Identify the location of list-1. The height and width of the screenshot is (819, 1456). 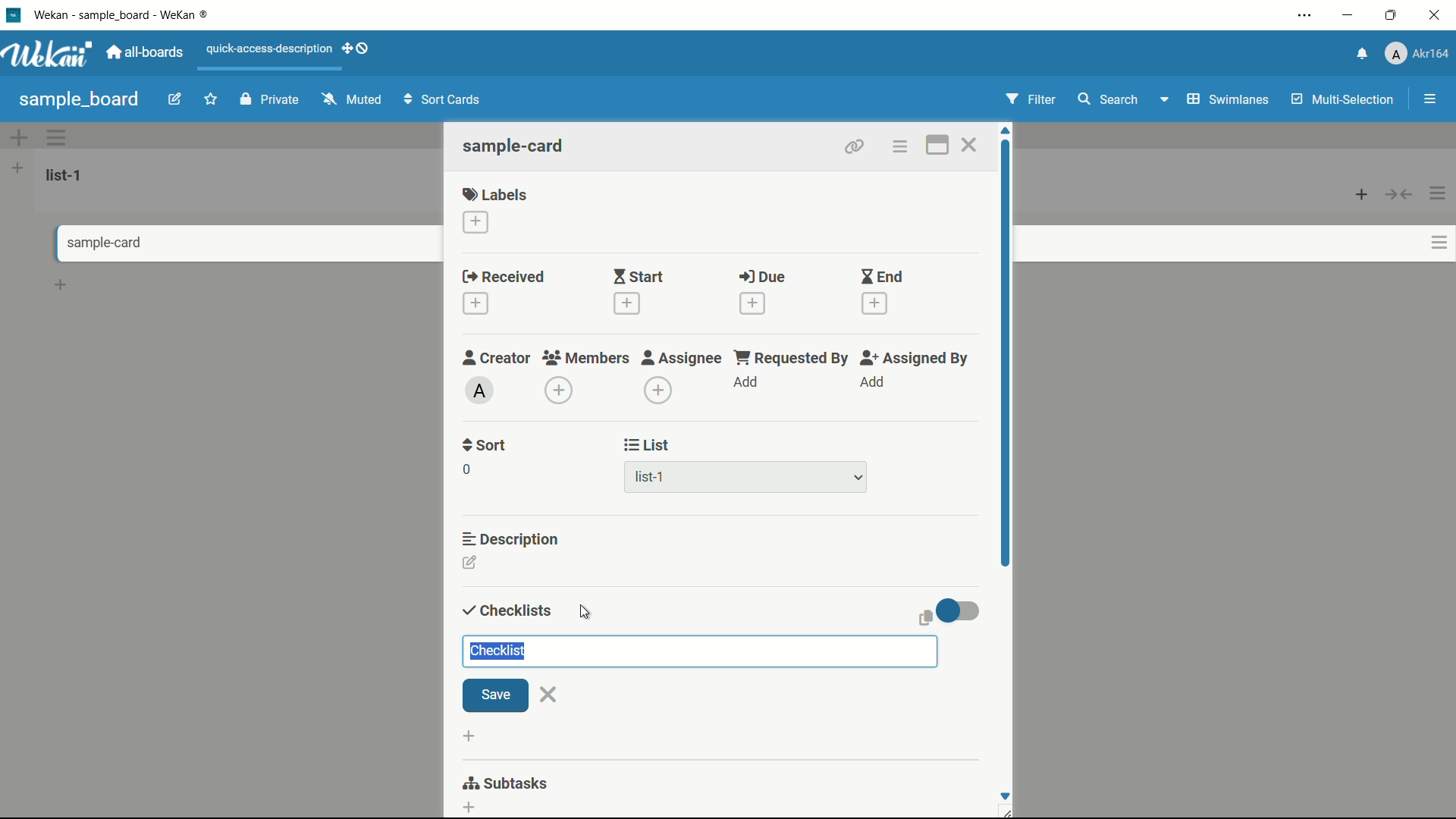
(652, 480).